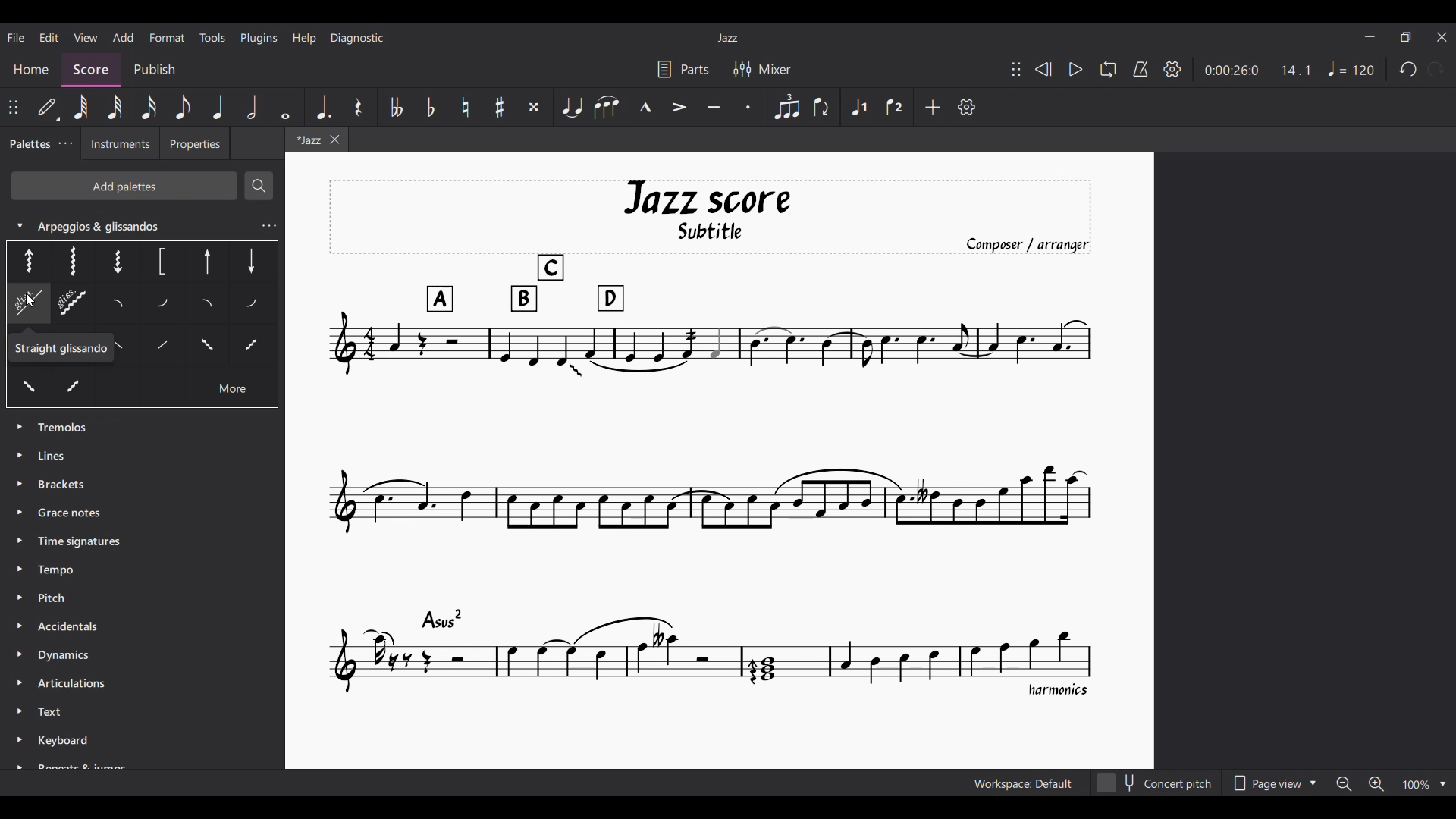 This screenshot has height=819, width=1456. I want to click on Add palettes, so click(124, 185).